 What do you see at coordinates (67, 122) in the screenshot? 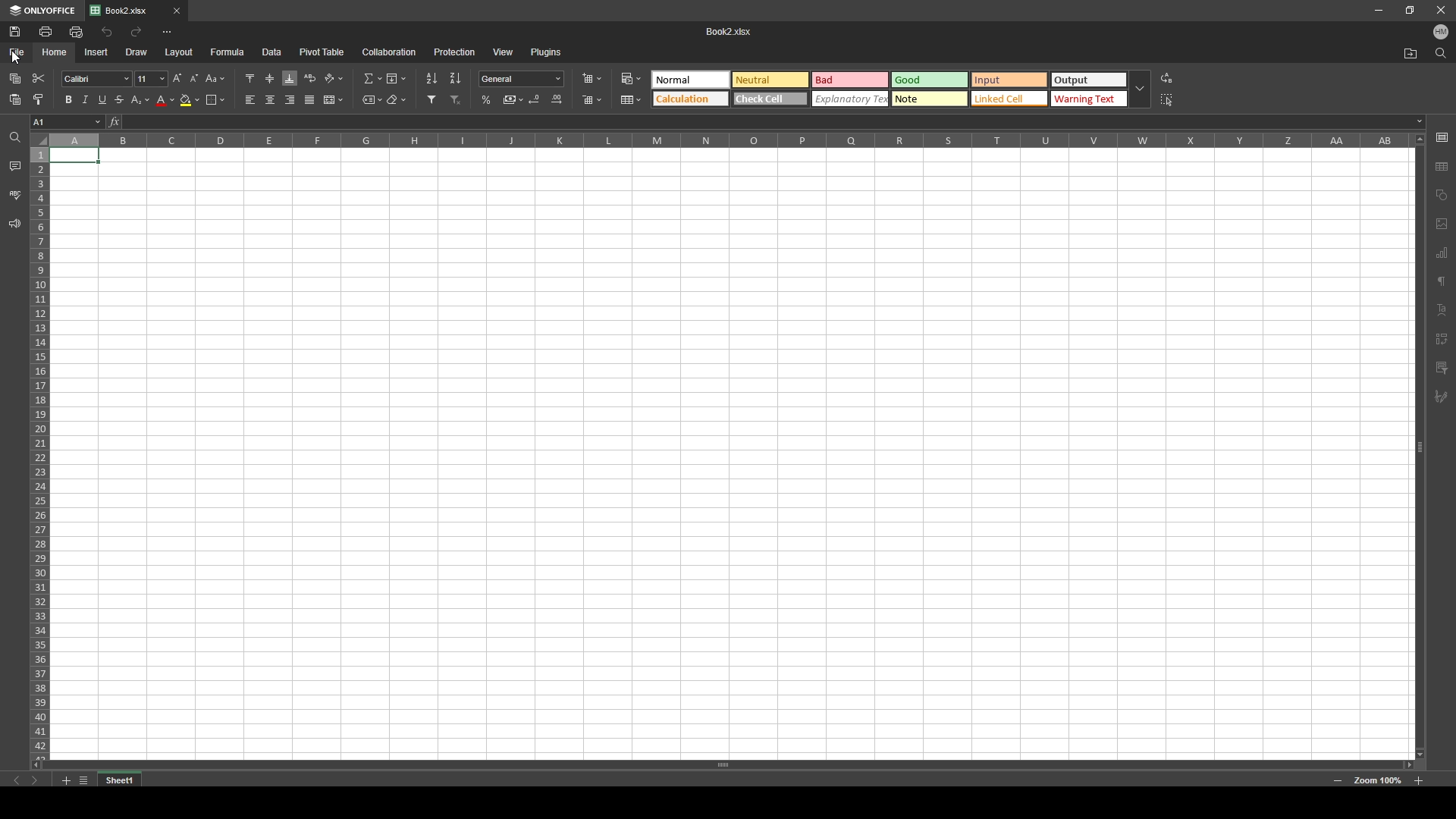
I see `selected cell` at bounding box center [67, 122].